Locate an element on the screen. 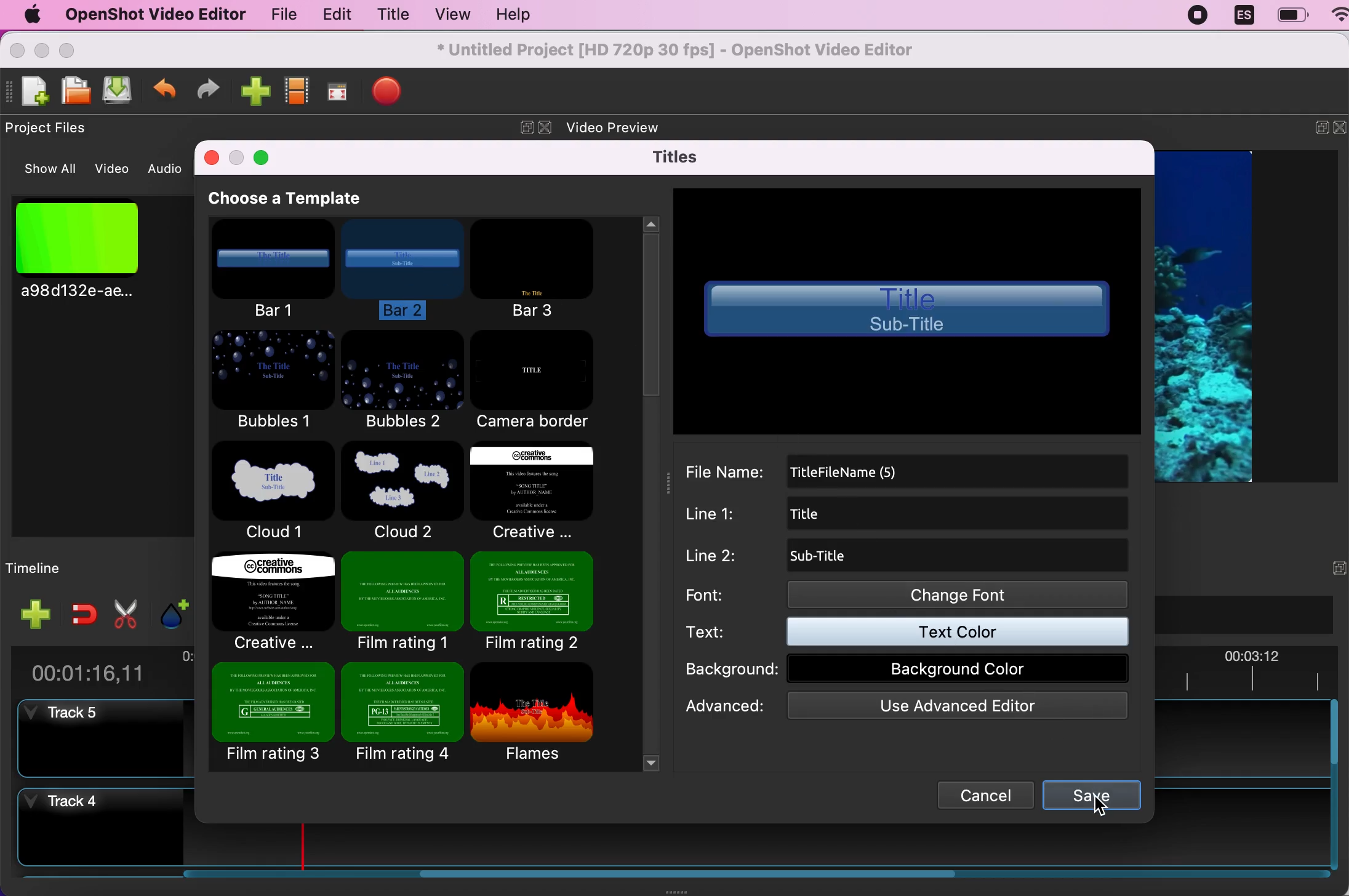 The image size is (1349, 896). open file is located at coordinates (77, 91).